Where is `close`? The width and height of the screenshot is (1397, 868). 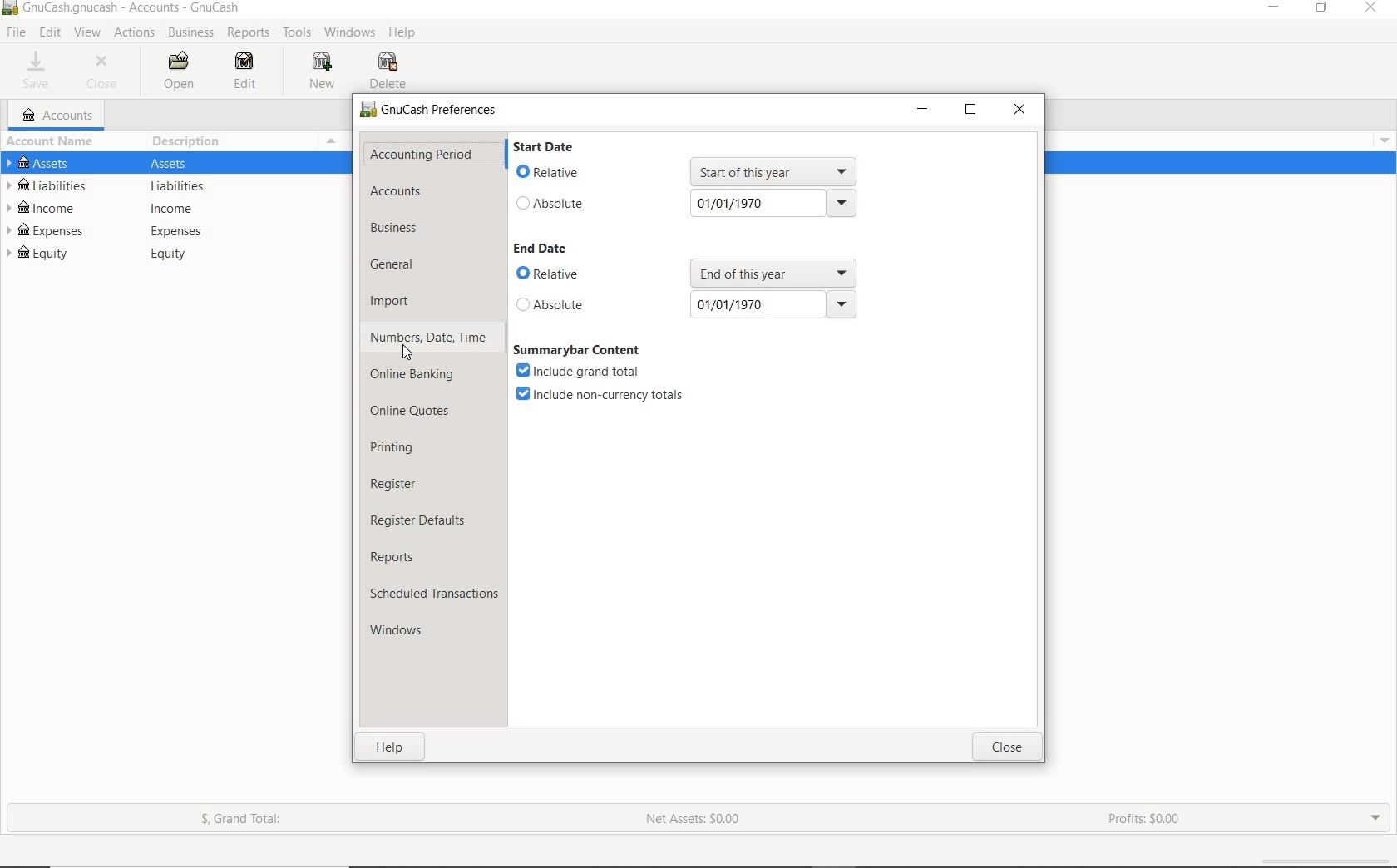
close is located at coordinates (1020, 111).